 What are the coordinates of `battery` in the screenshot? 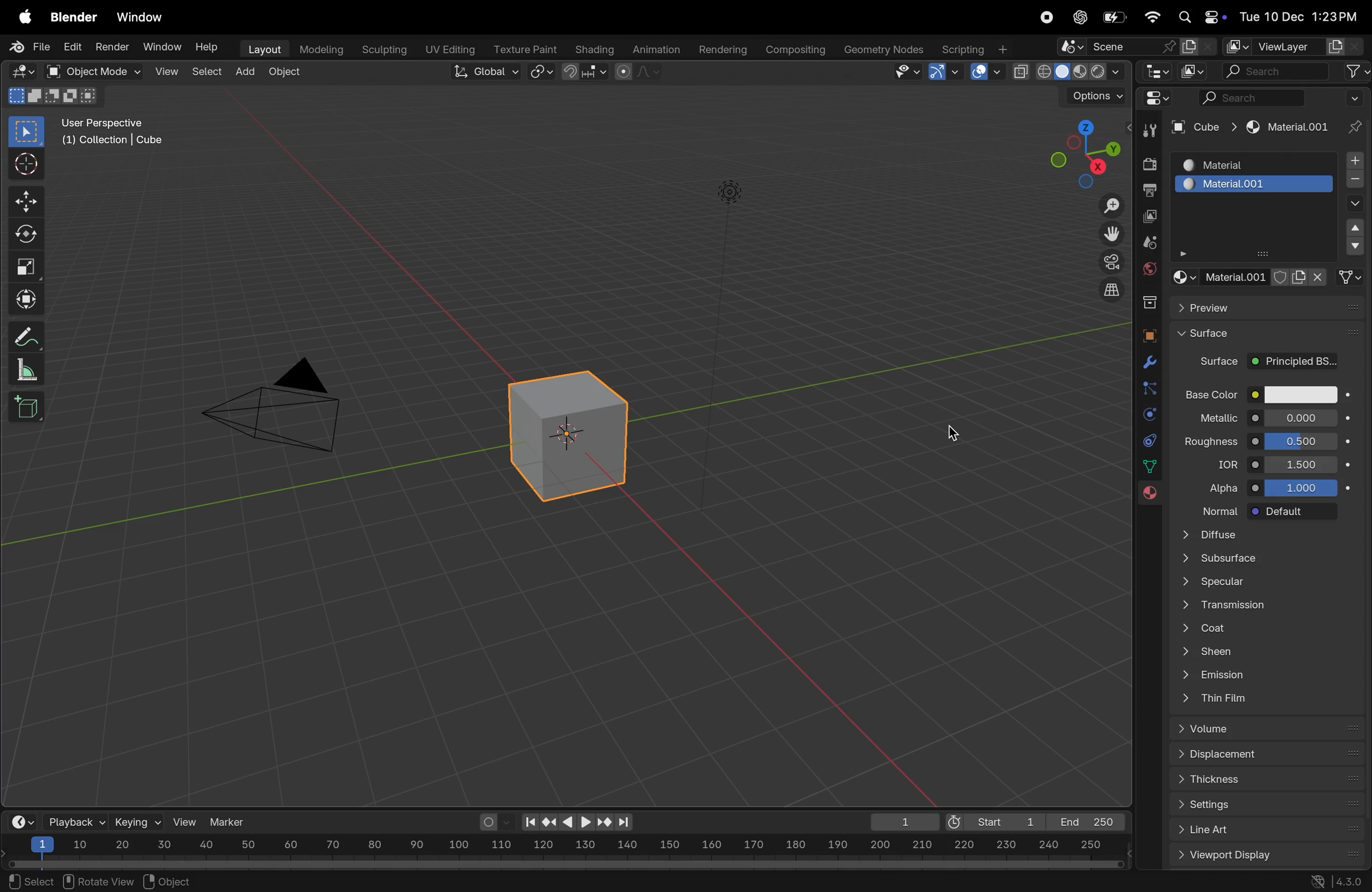 It's located at (1117, 17).